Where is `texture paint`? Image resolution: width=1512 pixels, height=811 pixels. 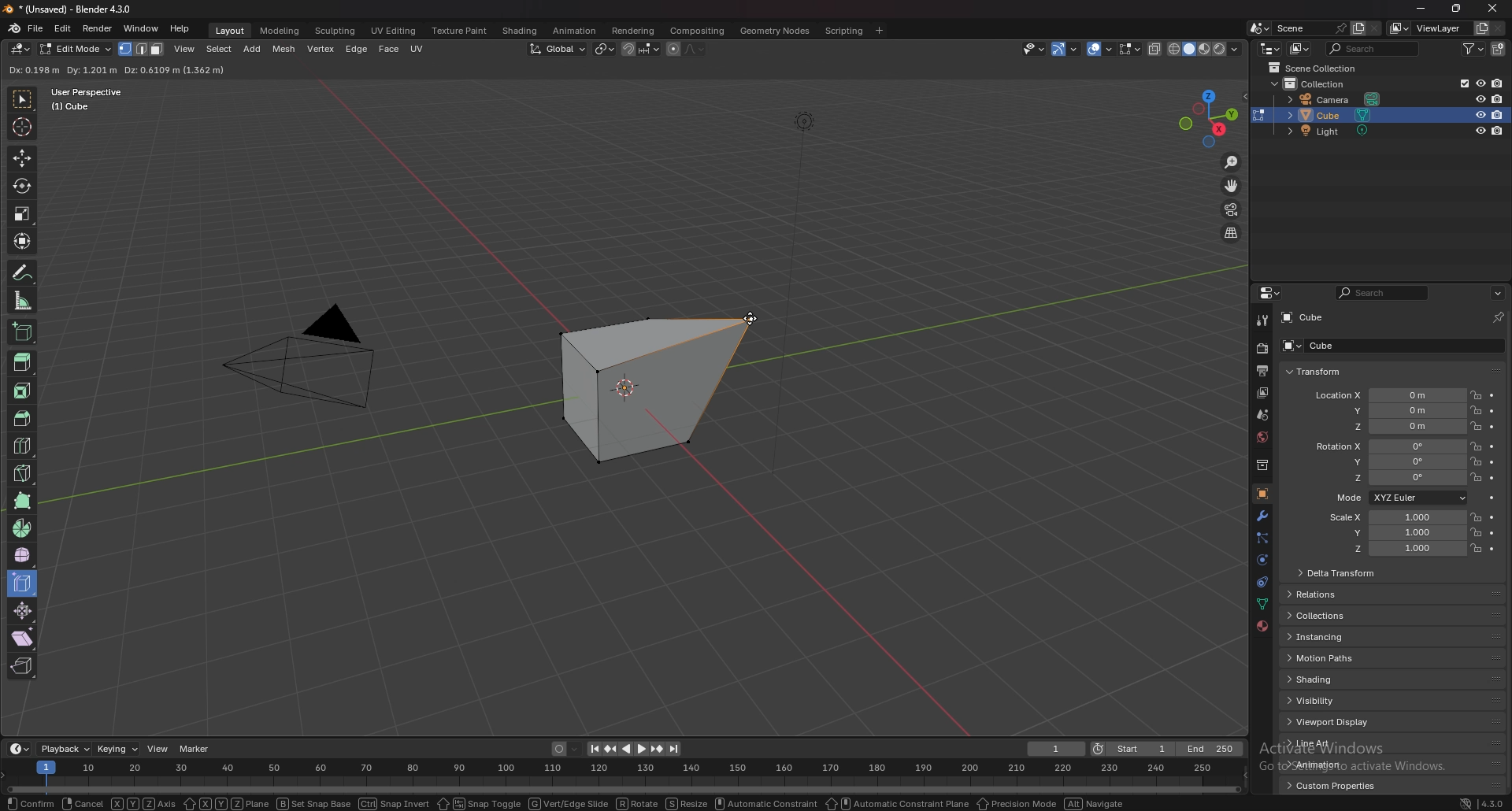 texture paint is located at coordinates (459, 31).